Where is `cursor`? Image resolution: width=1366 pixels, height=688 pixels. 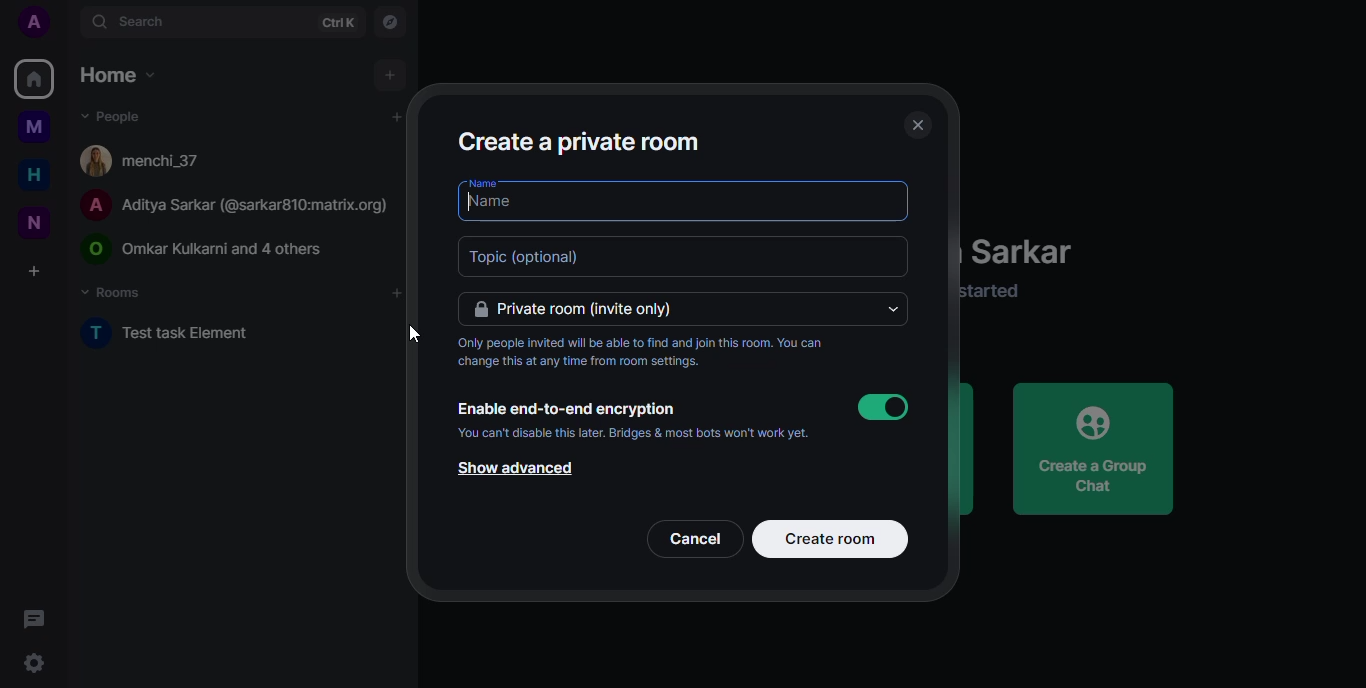
cursor is located at coordinates (399, 304).